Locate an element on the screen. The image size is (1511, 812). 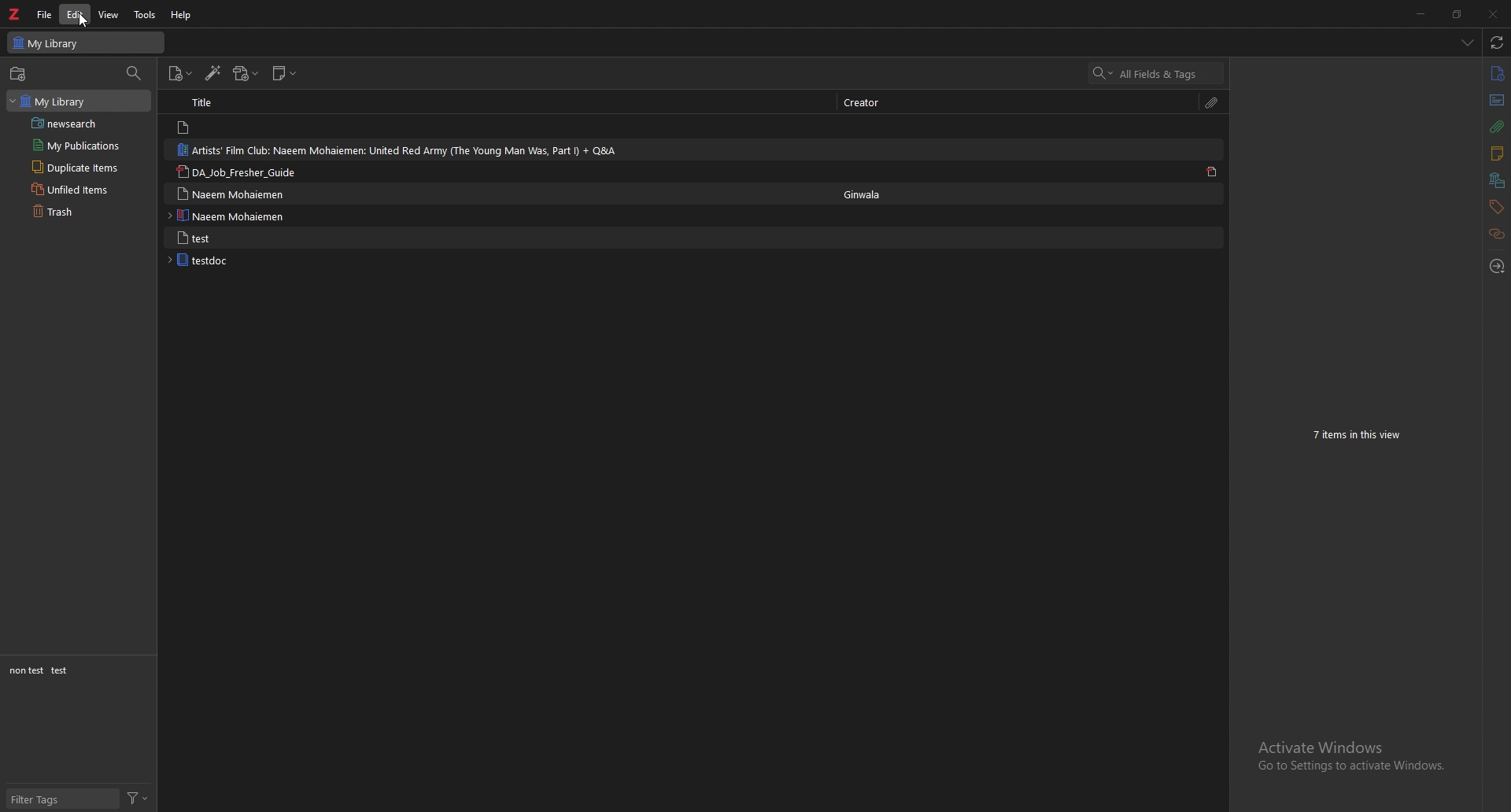
filter tags is located at coordinates (64, 800).